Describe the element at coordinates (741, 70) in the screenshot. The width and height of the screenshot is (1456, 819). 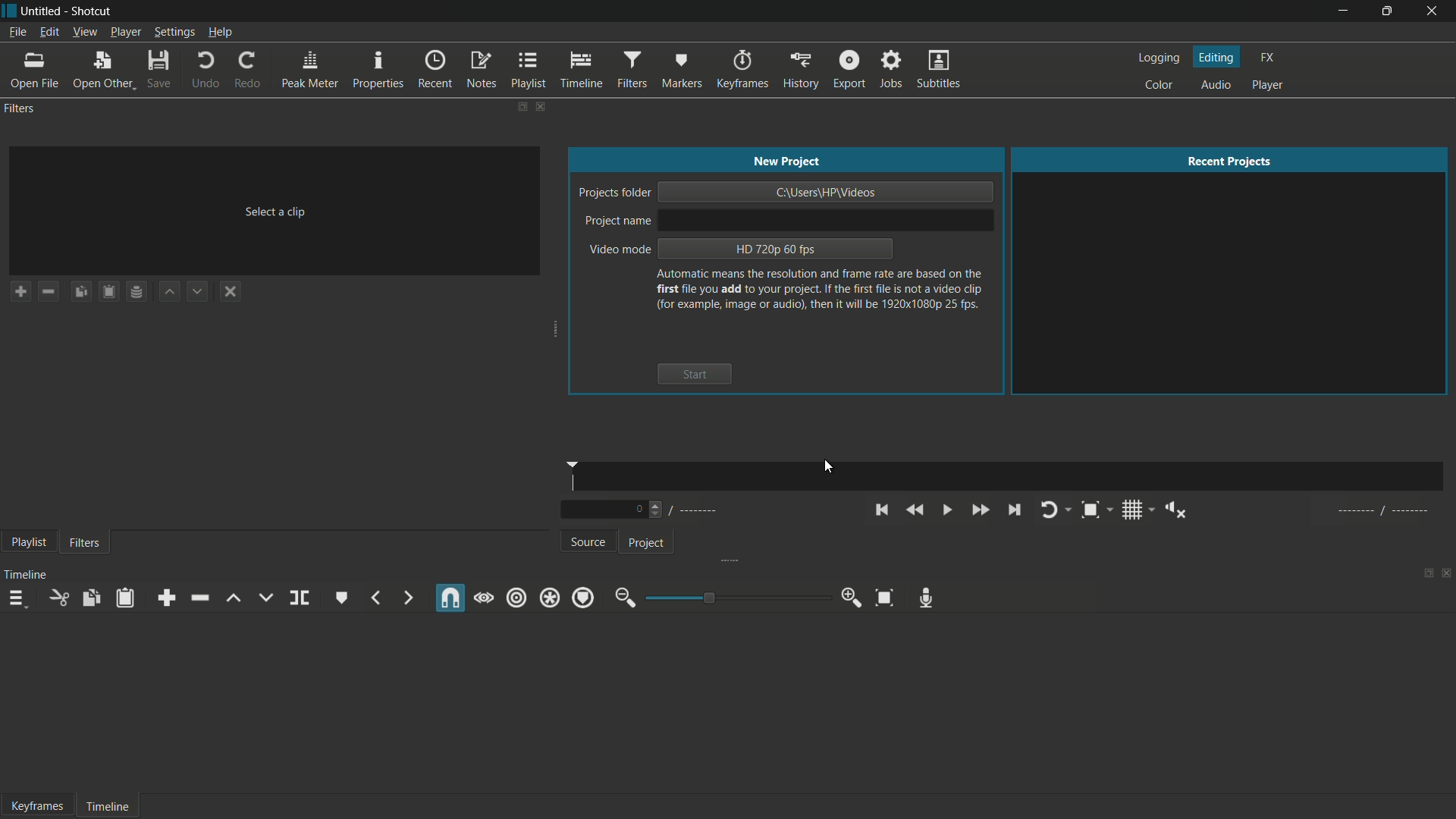
I see `keyframes` at that location.